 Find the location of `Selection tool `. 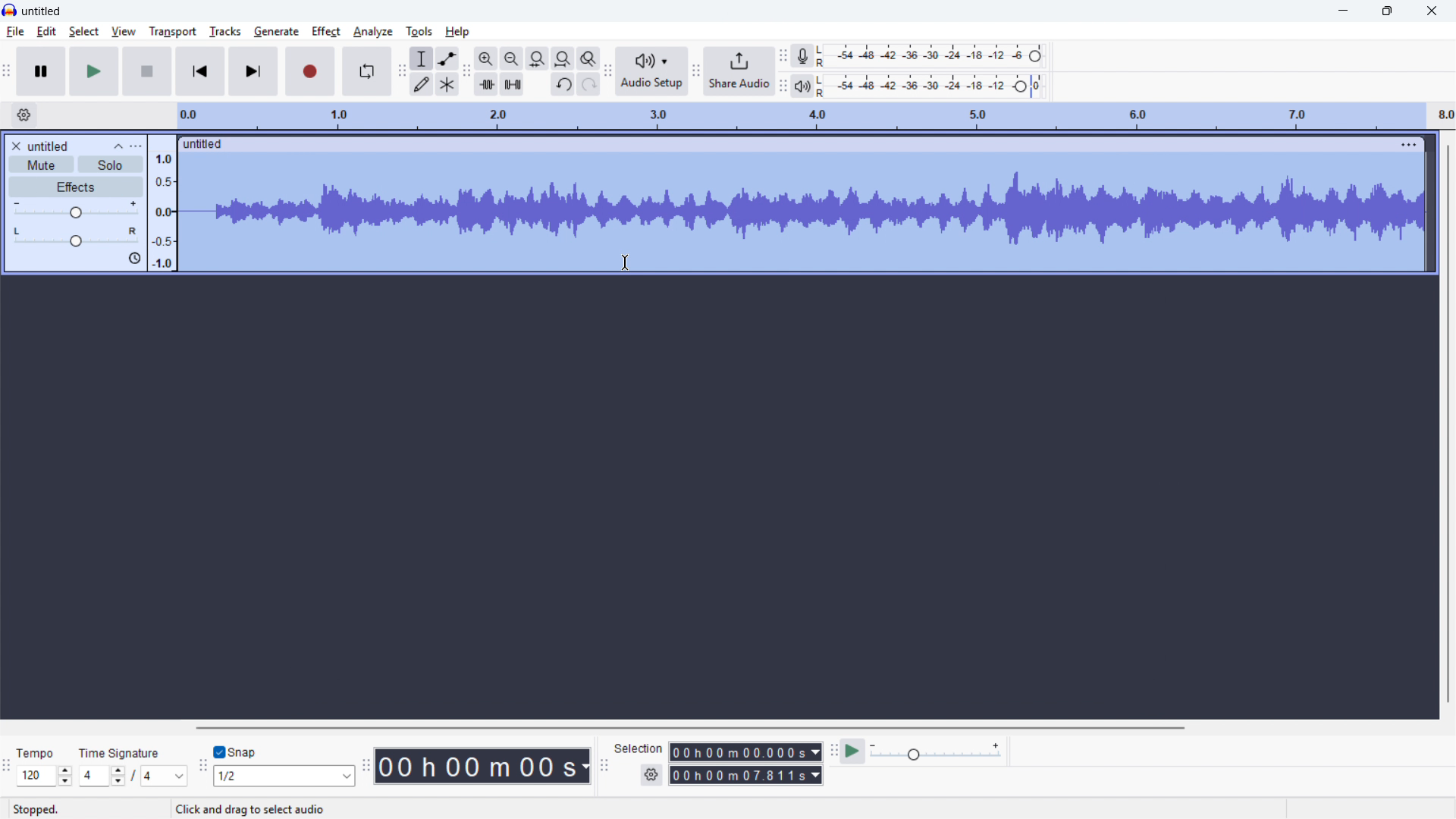

Selection tool  is located at coordinates (422, 58).